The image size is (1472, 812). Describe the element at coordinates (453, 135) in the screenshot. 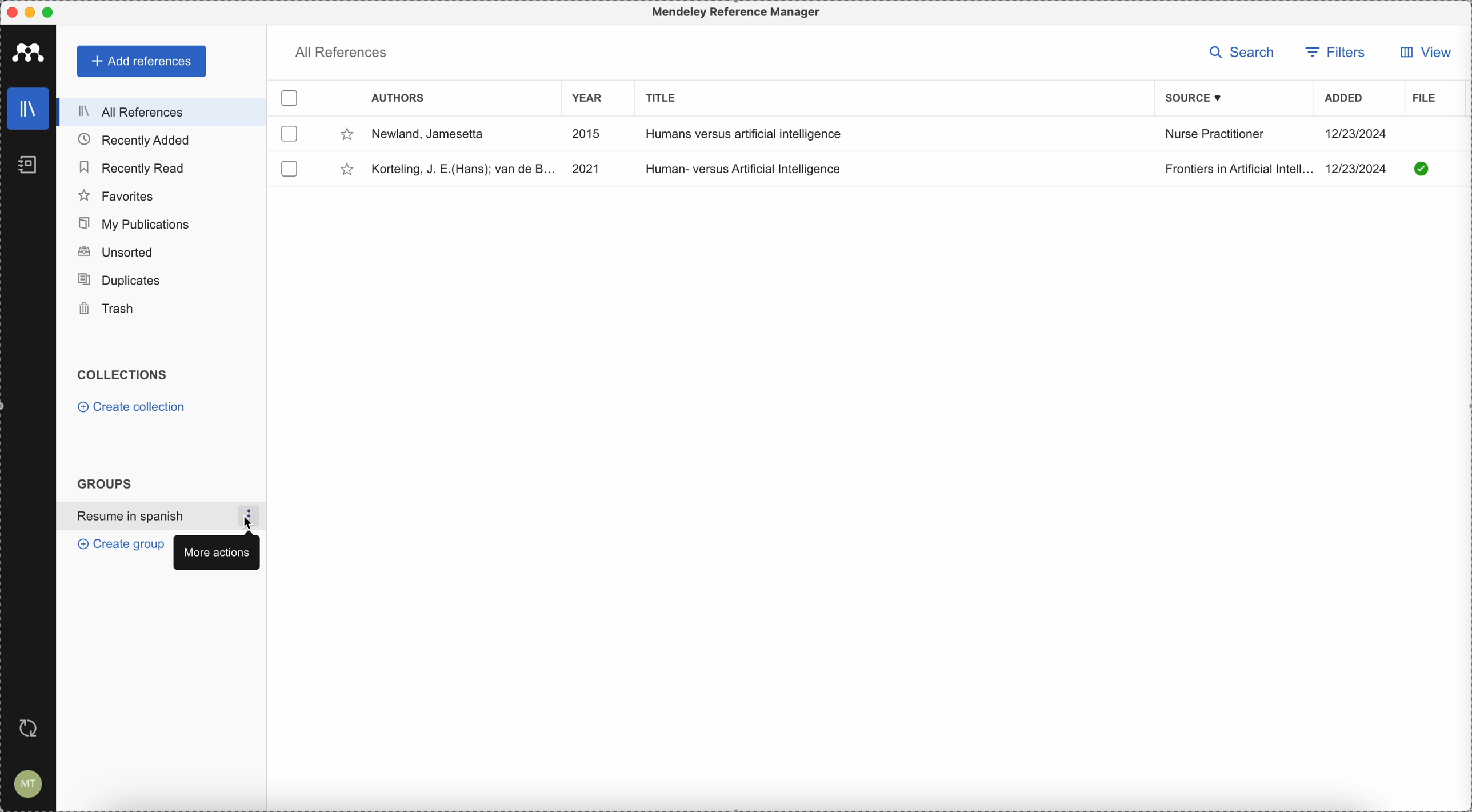

I see `Newland, Jamesetta` at that location.